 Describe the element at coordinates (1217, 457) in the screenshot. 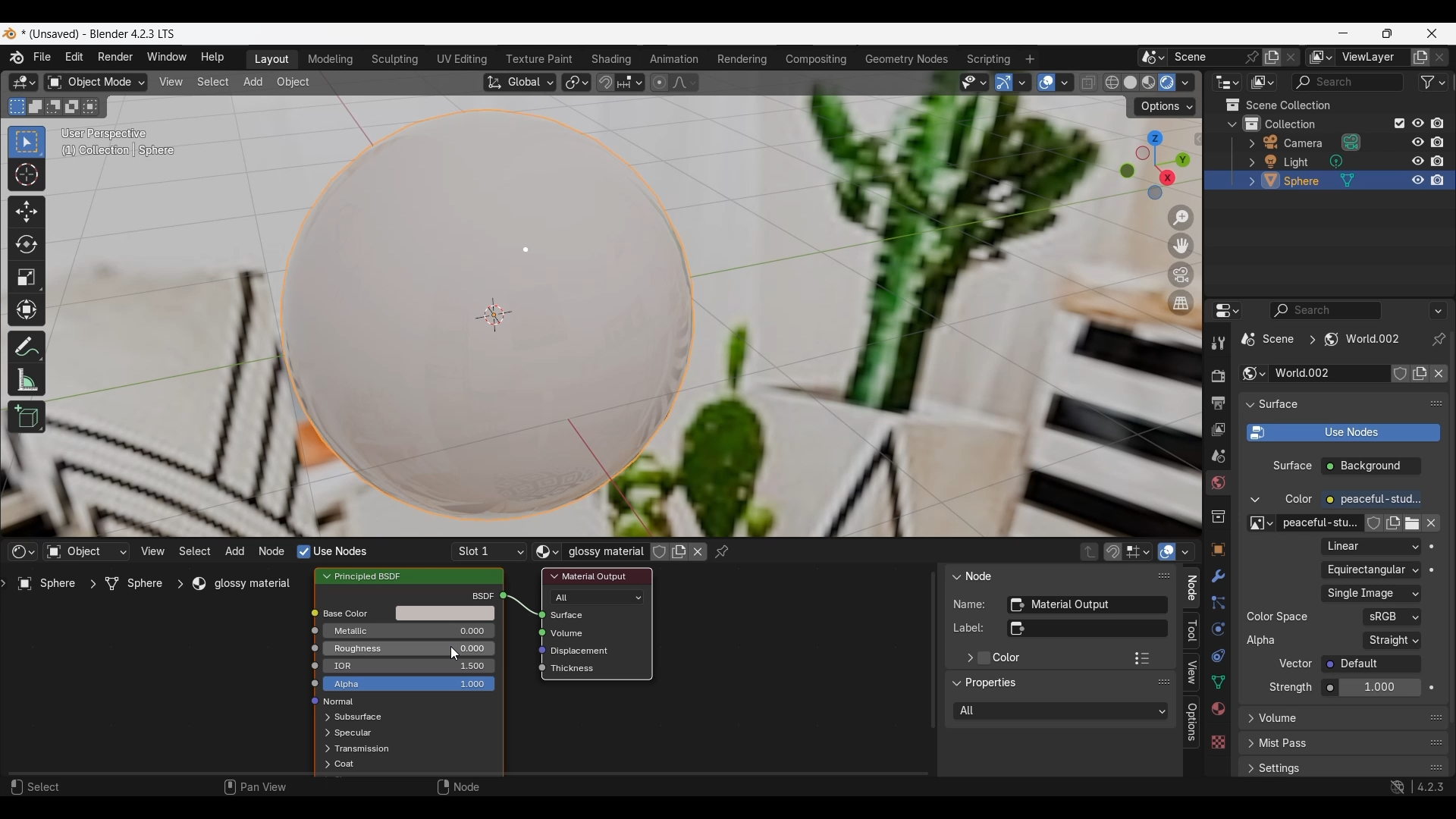

I see `Scene properties` at that location.